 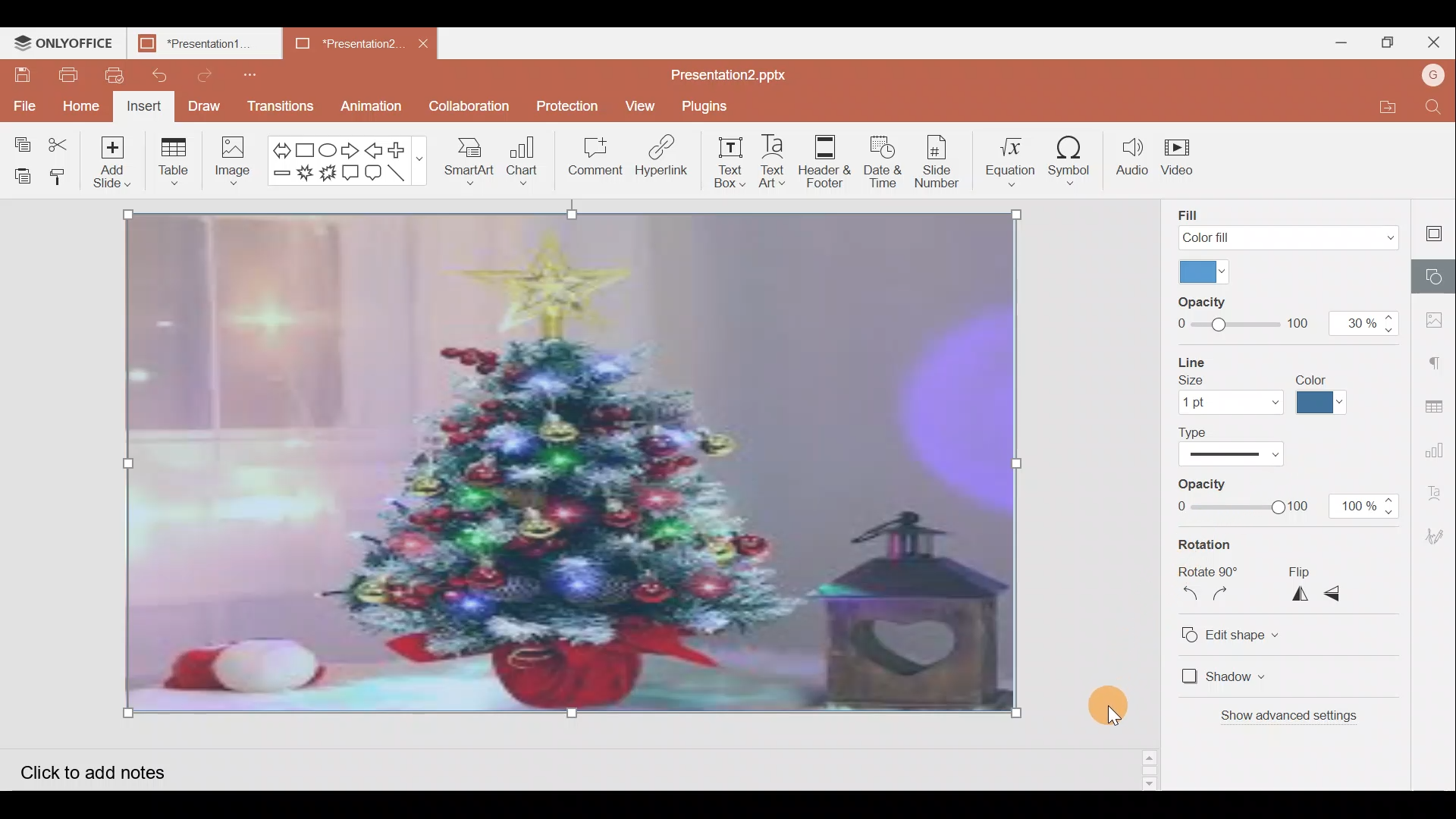 I want to click on File, so click(x=23, y=102).